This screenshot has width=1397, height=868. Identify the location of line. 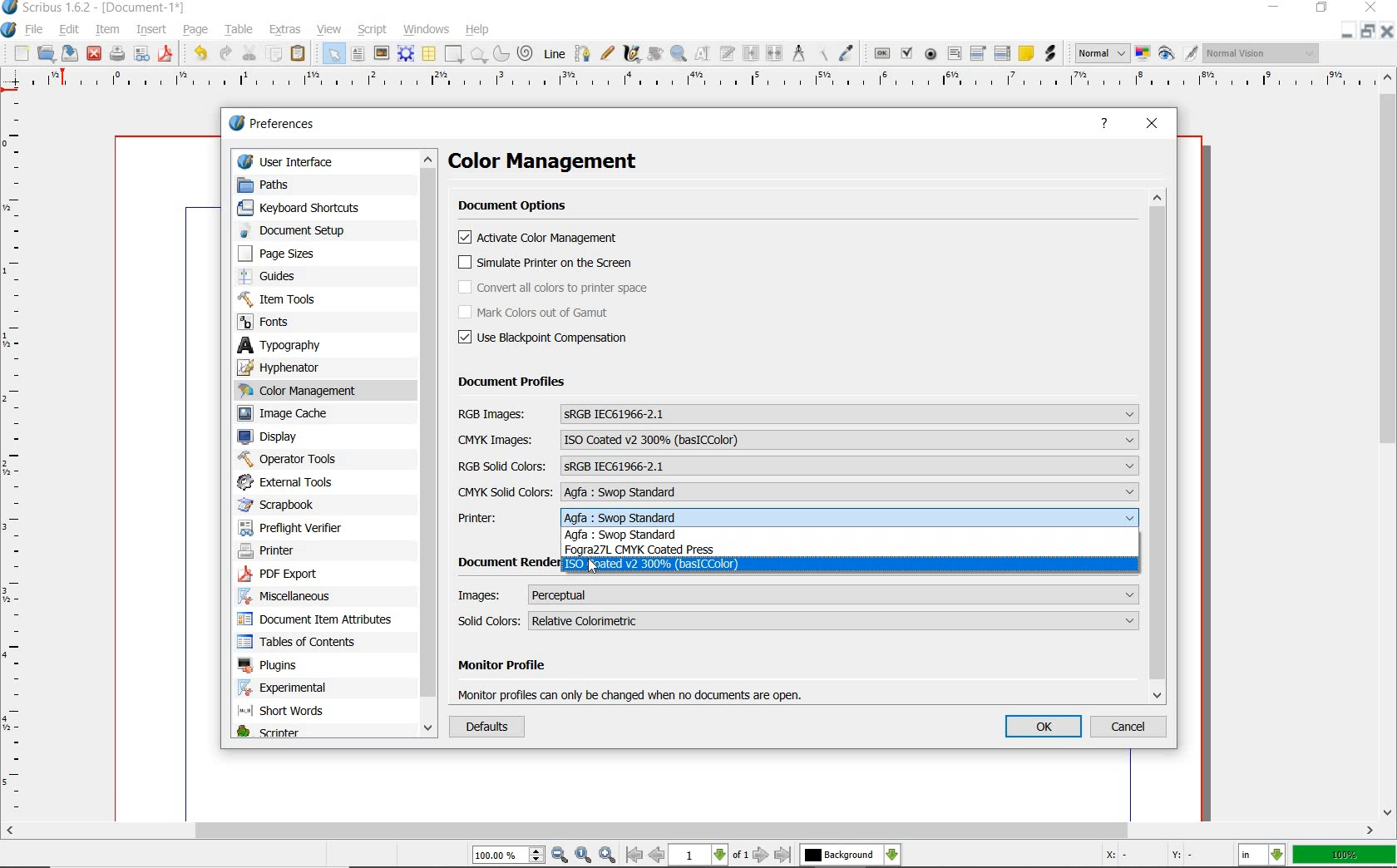
(555, 53).